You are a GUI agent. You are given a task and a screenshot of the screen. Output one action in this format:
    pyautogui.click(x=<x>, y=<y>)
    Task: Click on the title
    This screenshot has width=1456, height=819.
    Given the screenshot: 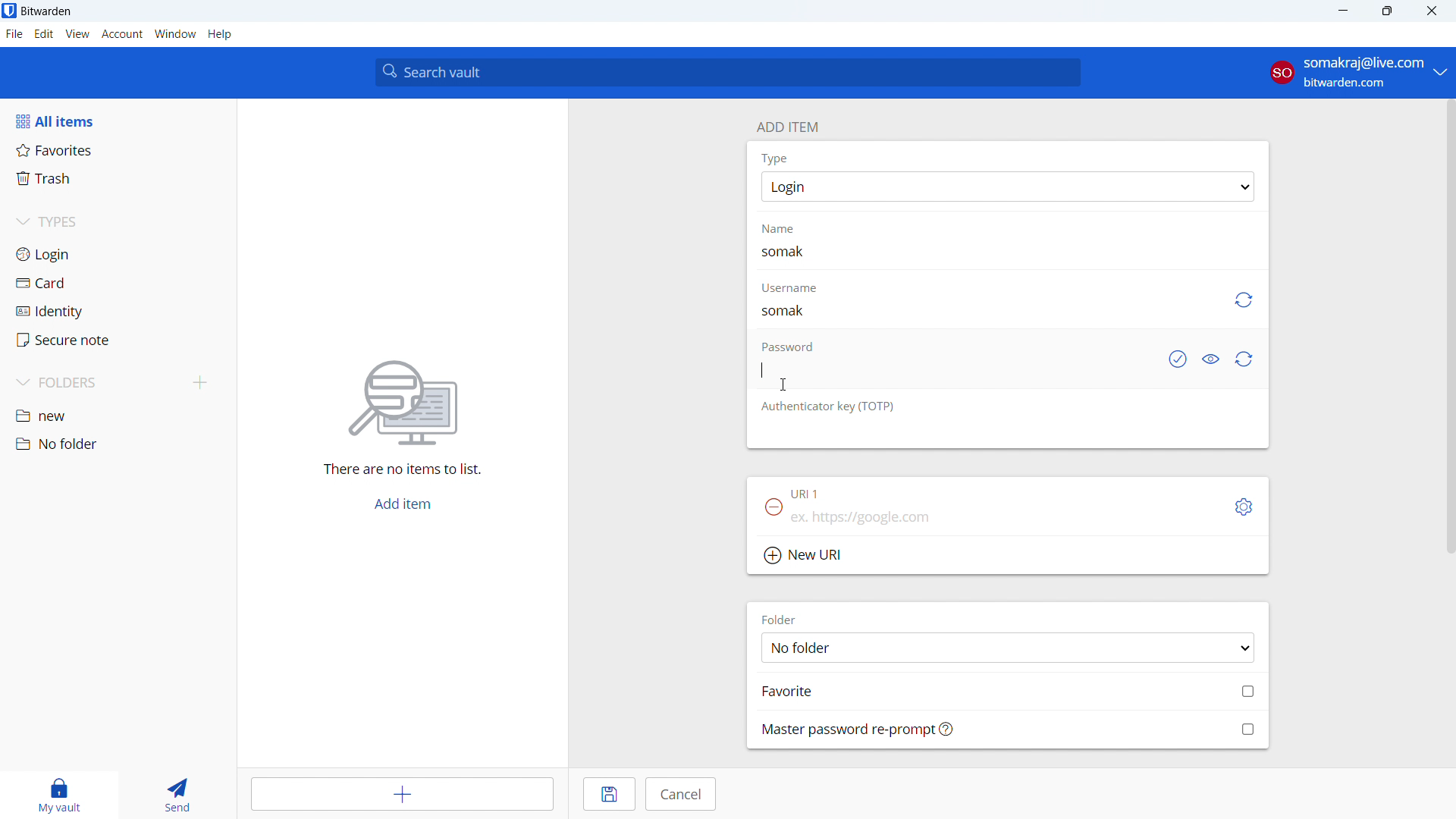 What is the action you would take?
    pyautogui.click(x=46, y=11)
    